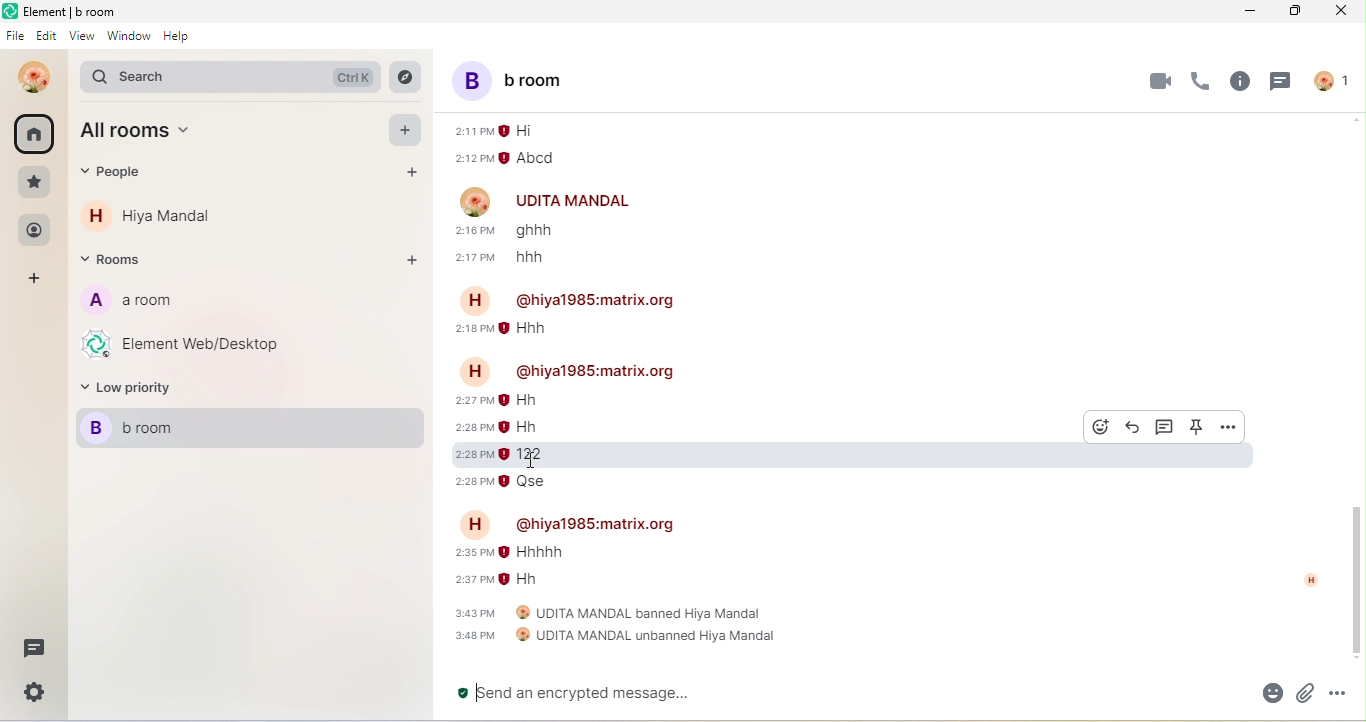  What do you see at coordinates (623, 637) in the screenshot?
I see `3:48 pm UDITA MANDAL unbanned Hiya Mandal` at bounding box center [623, 637].